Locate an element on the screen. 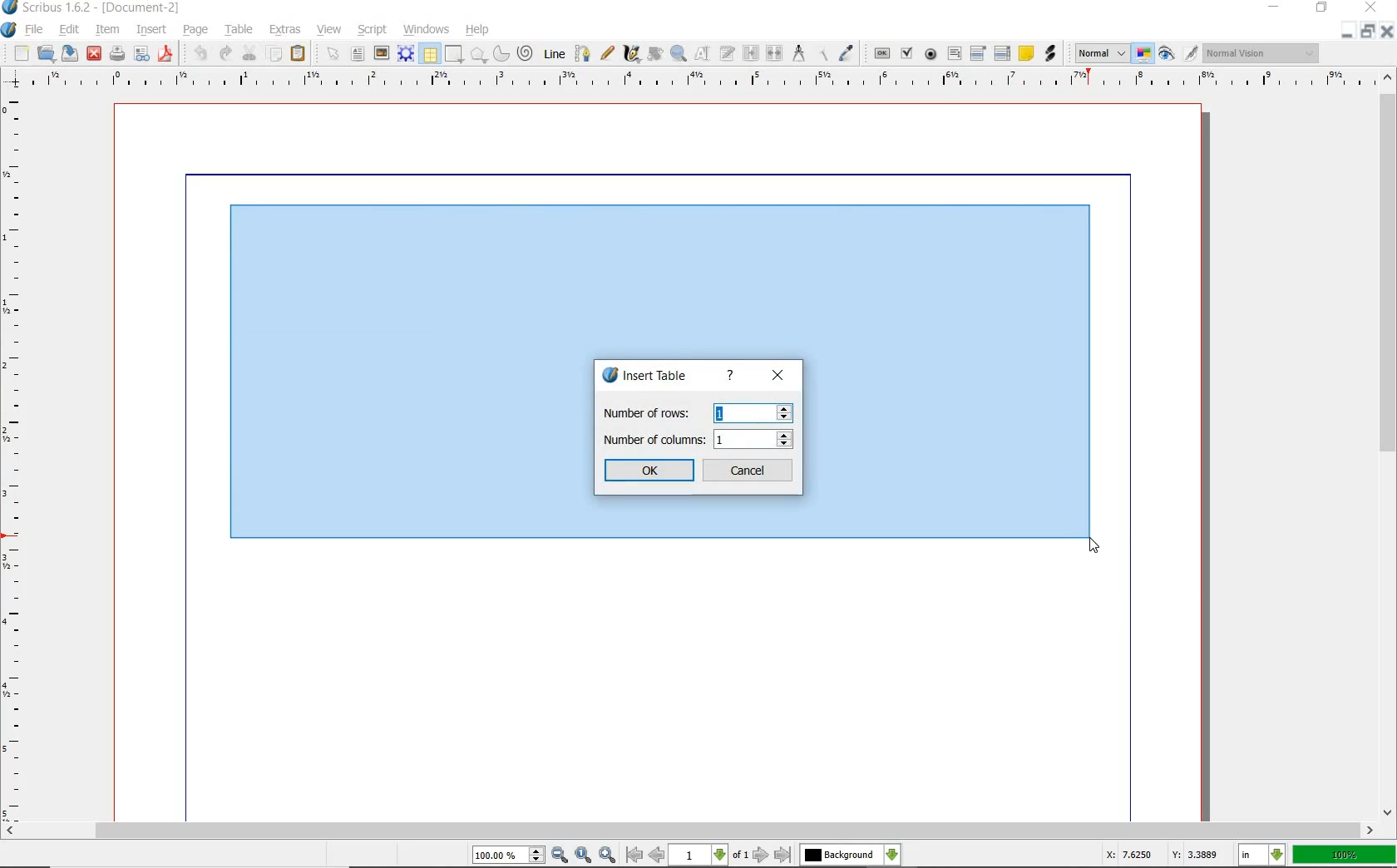 The height and width of the screenshot is (868, 1397). eye dropper is located at coordinates (846, 52).